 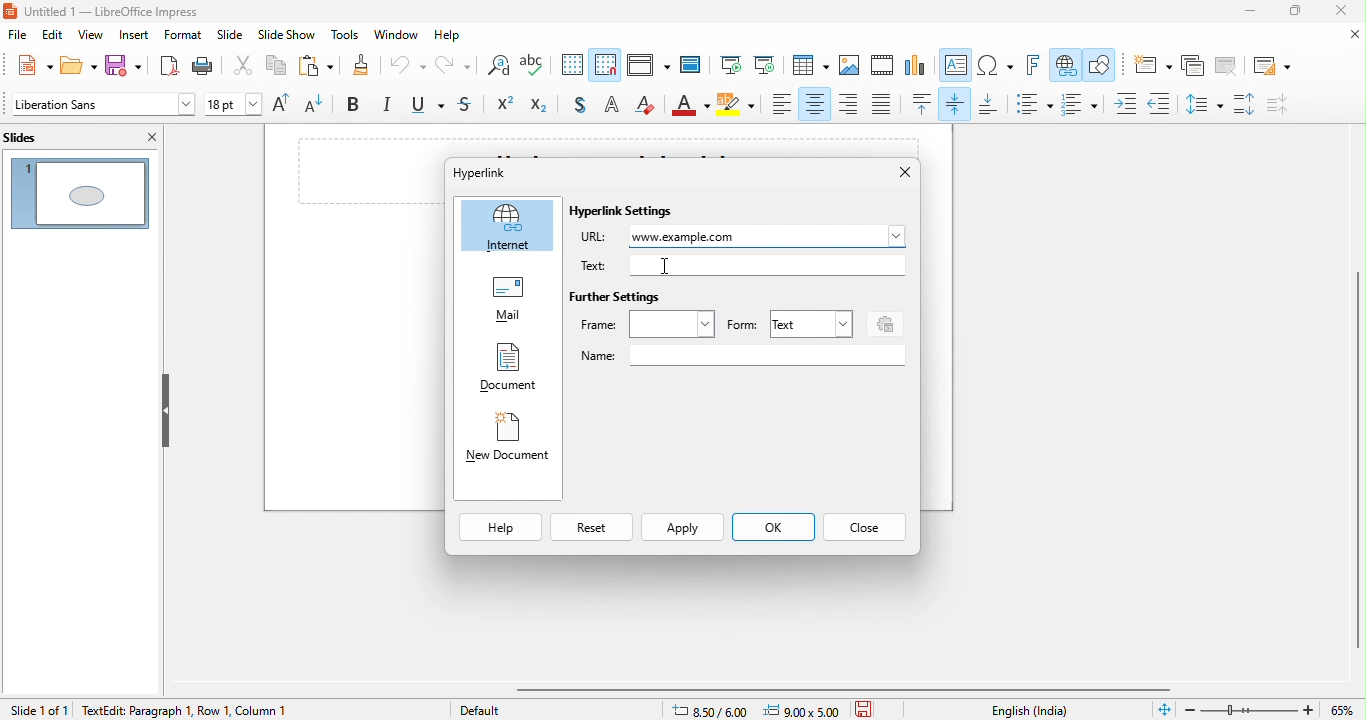 I want to click on increase font size, so click(x=285, y=105).